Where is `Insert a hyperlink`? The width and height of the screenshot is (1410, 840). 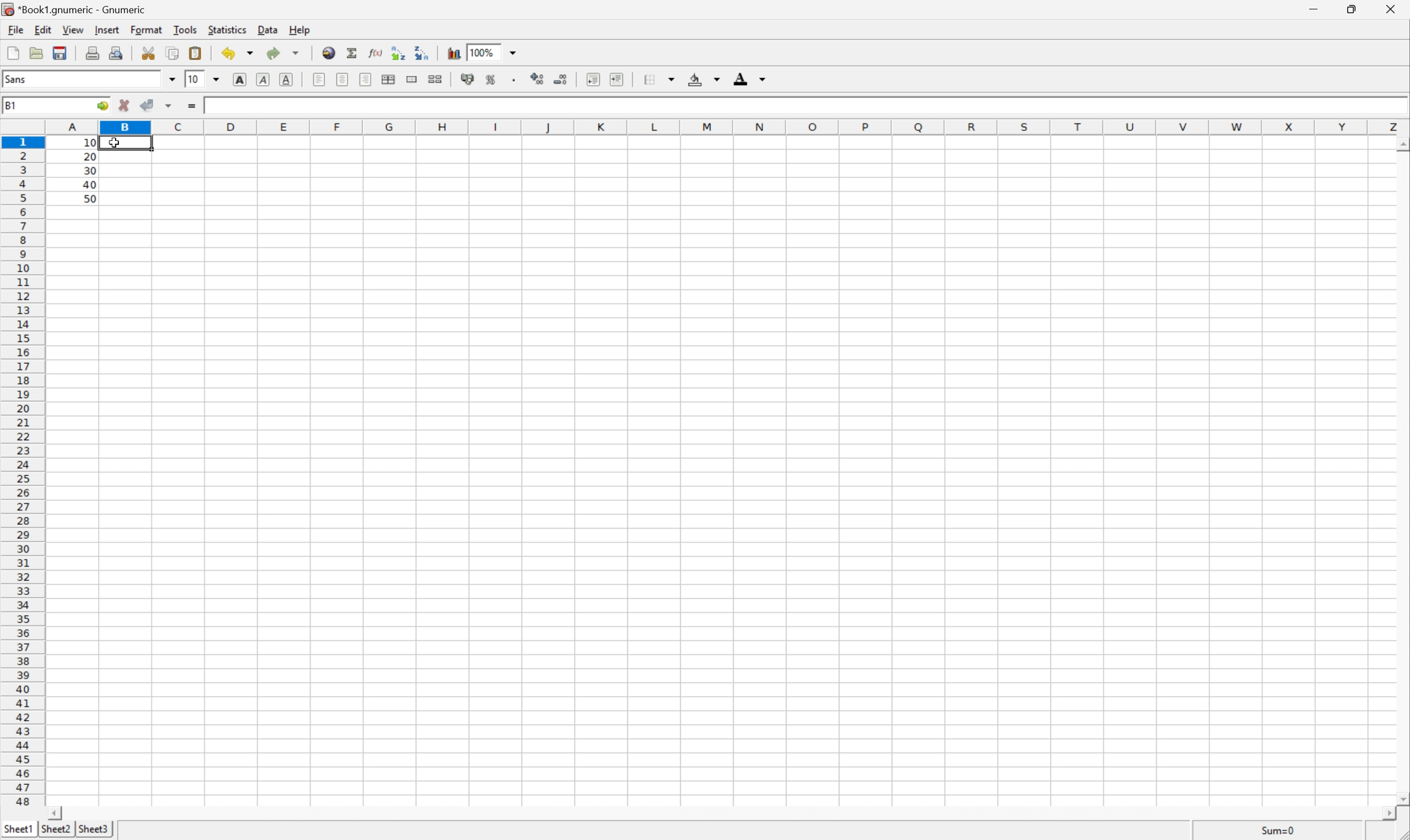 Insert a hyperlink is located at coordinates (330, 53).